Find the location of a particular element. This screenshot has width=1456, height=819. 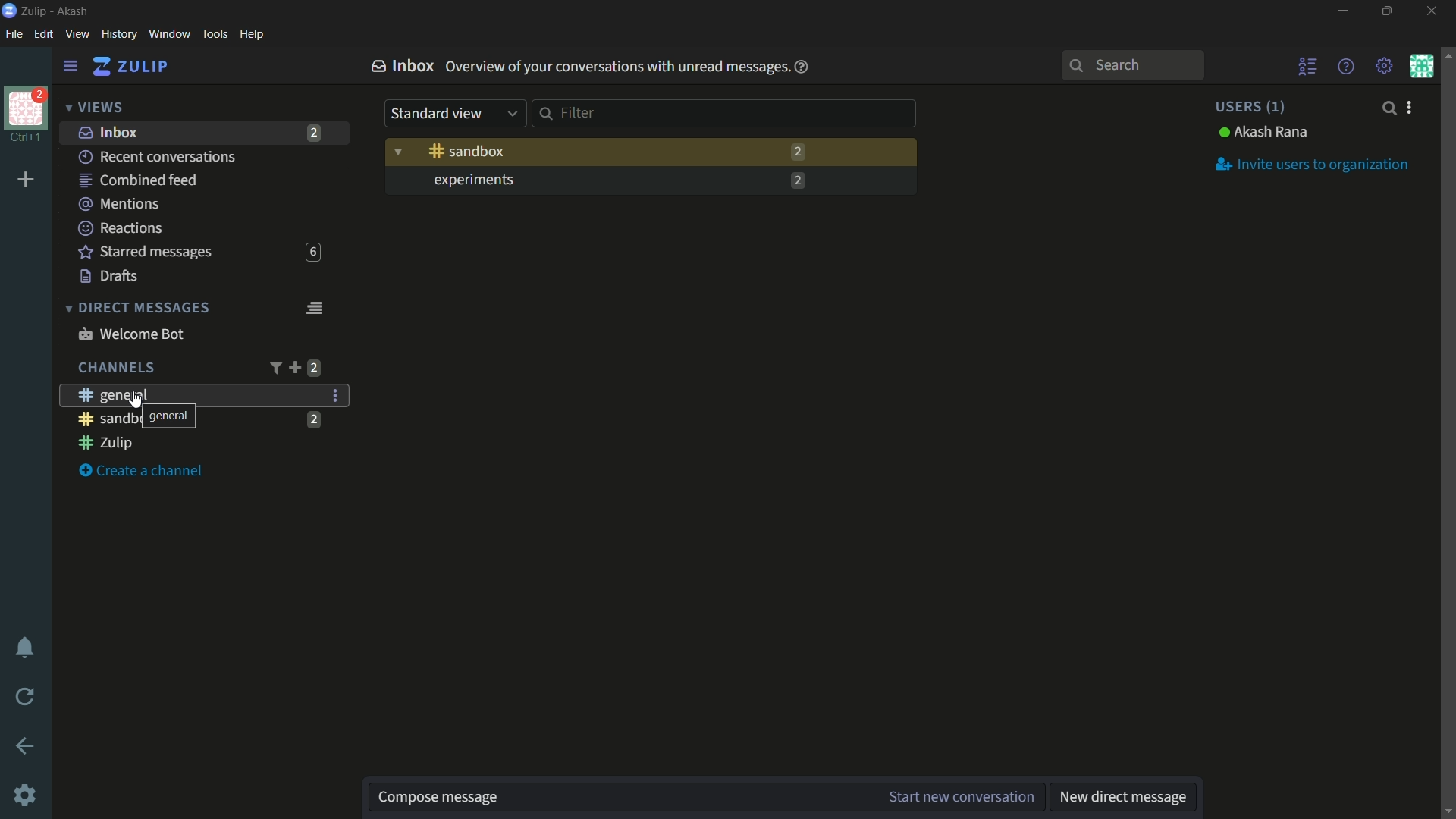

Akash rana is located at coordinates (1264, 132).